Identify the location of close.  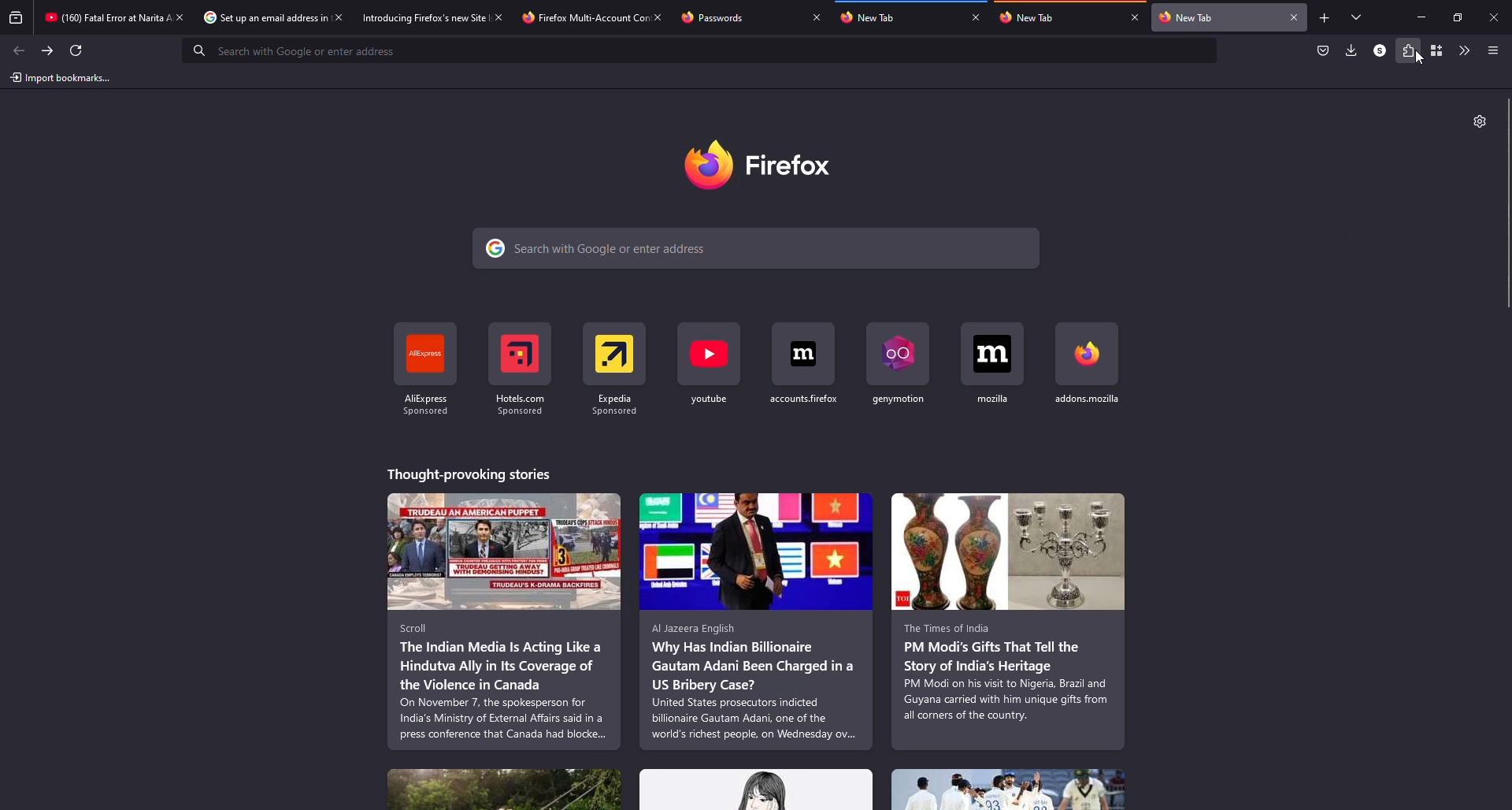
(339, 17).